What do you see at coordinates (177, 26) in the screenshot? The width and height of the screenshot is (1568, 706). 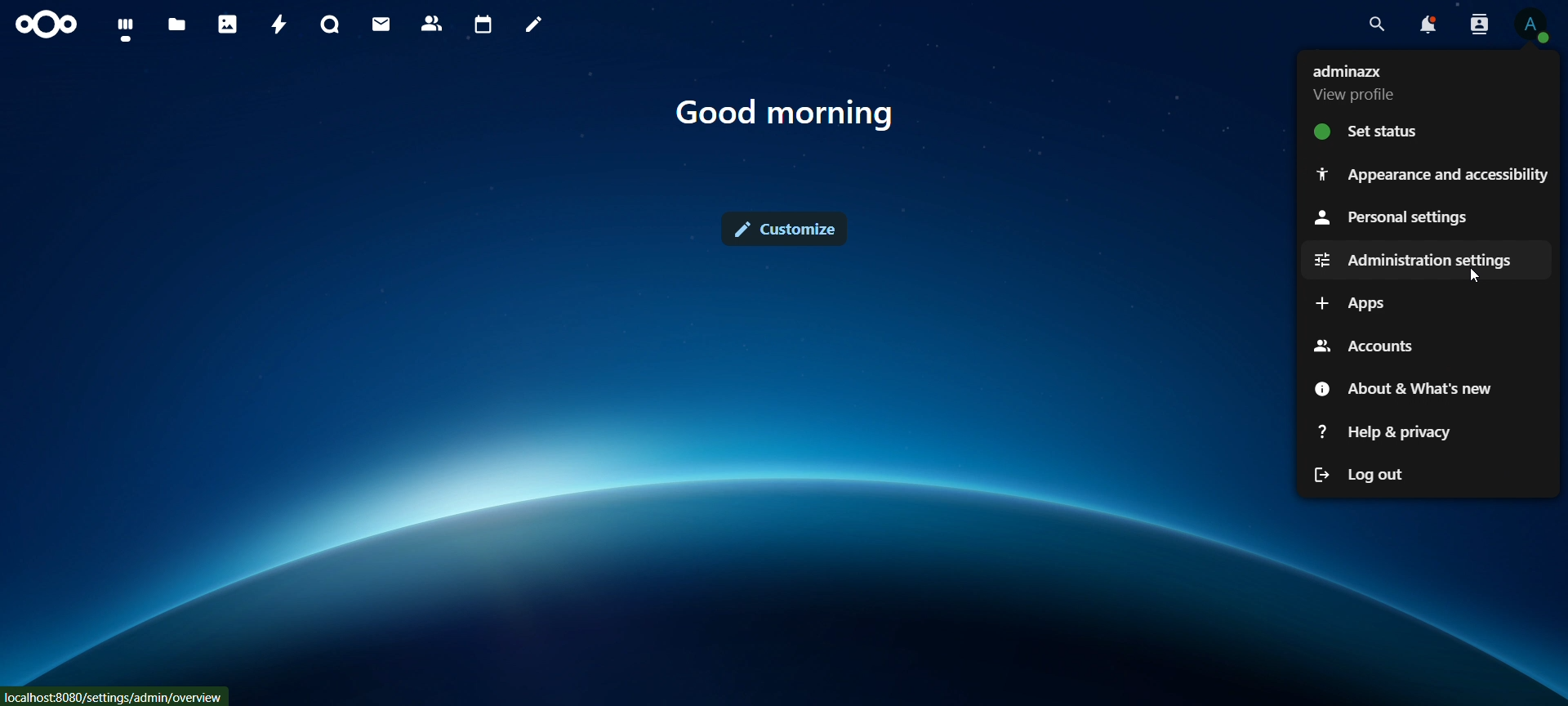 I see `files` at bounding box center [177, 26].